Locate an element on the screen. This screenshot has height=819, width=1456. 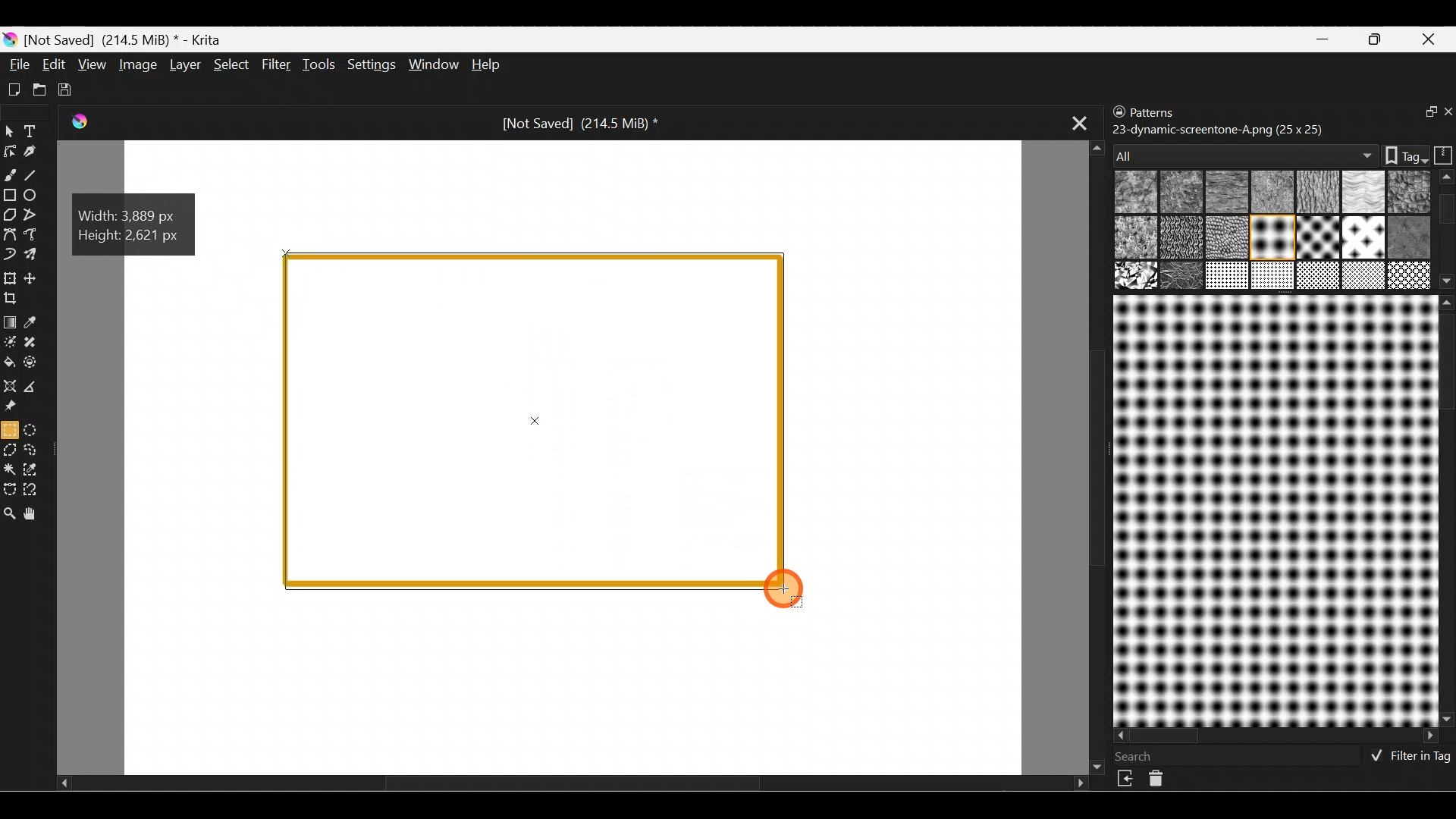
Polygonal selection tool is located at coordinates (11, 449).